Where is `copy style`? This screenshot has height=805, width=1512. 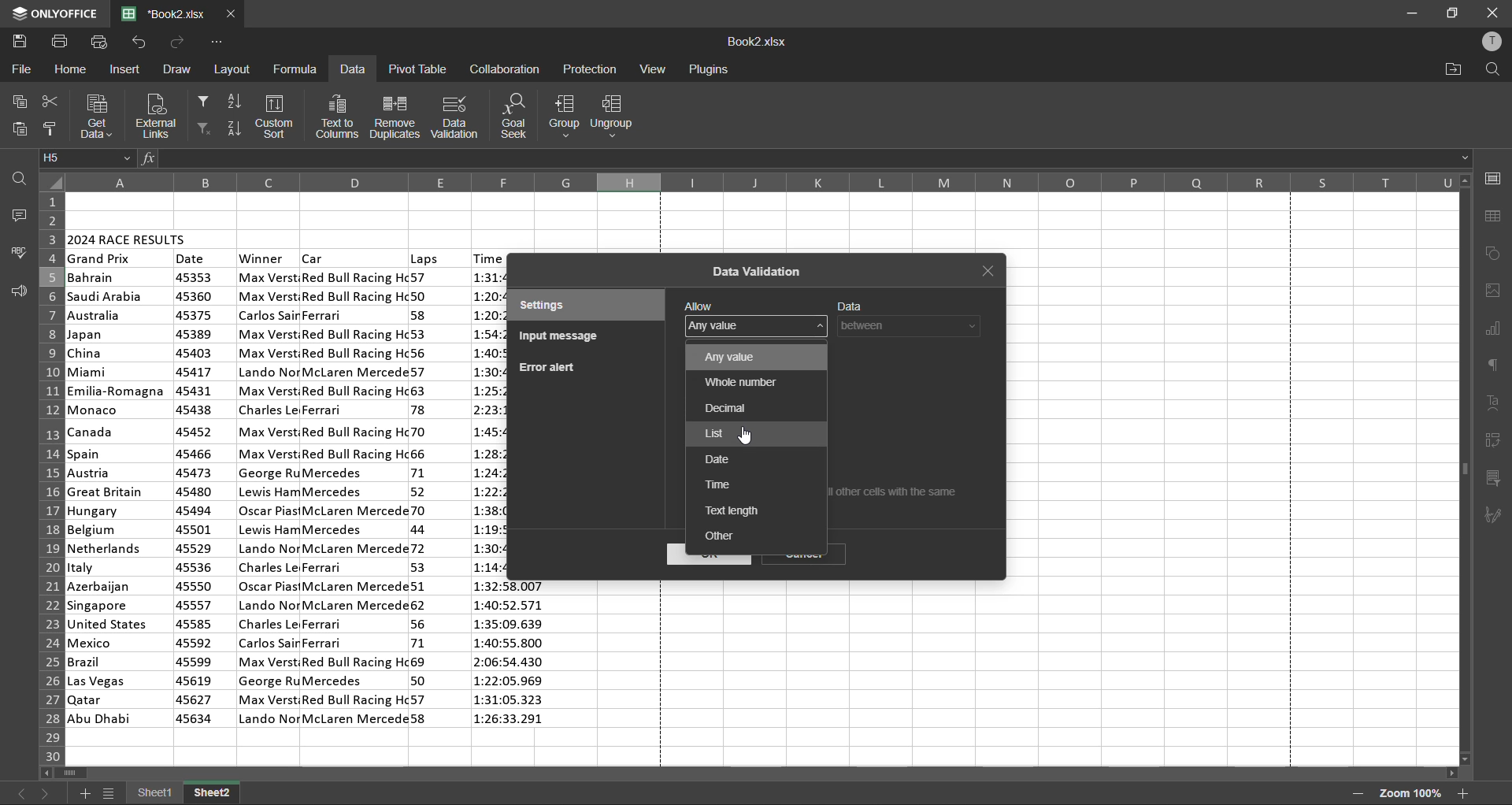
copy style is located at coordinates (53, 129).